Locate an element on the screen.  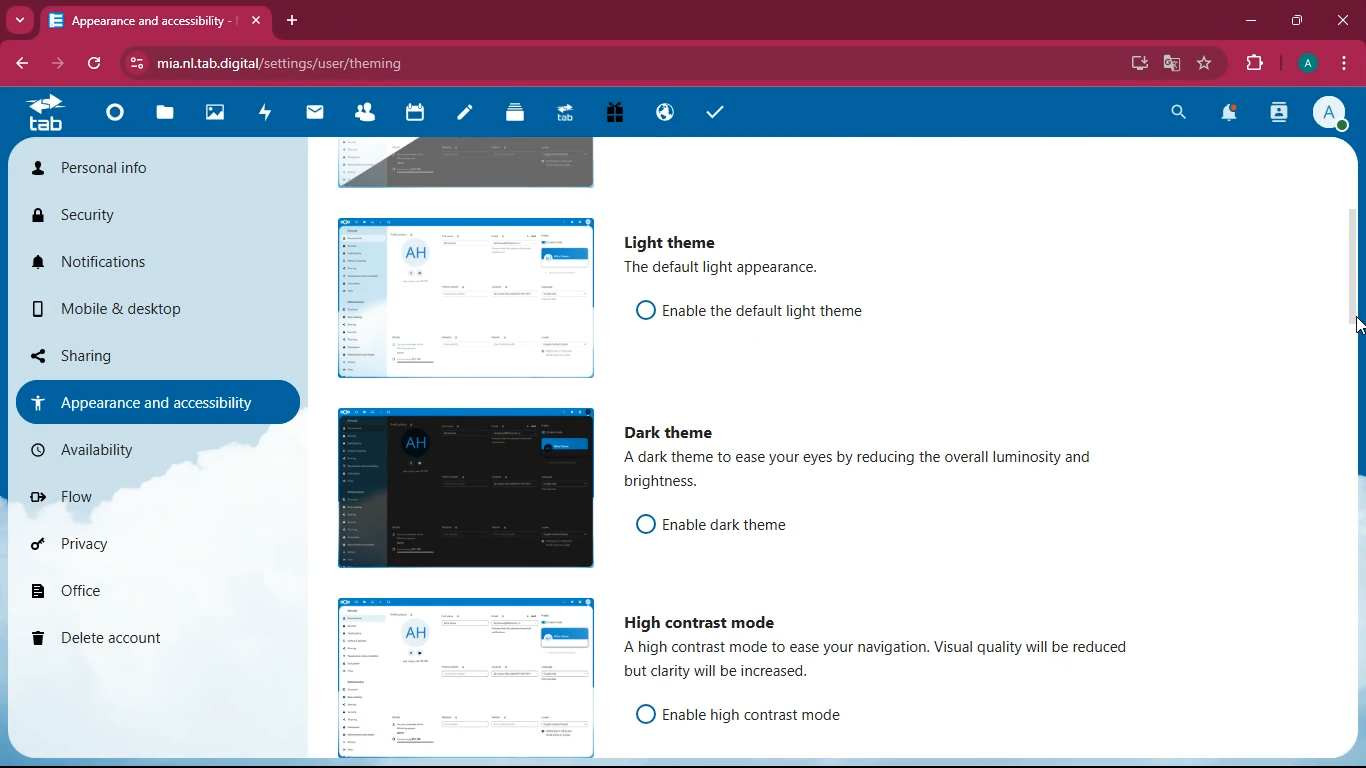
home is located at coordinates (110, 119).